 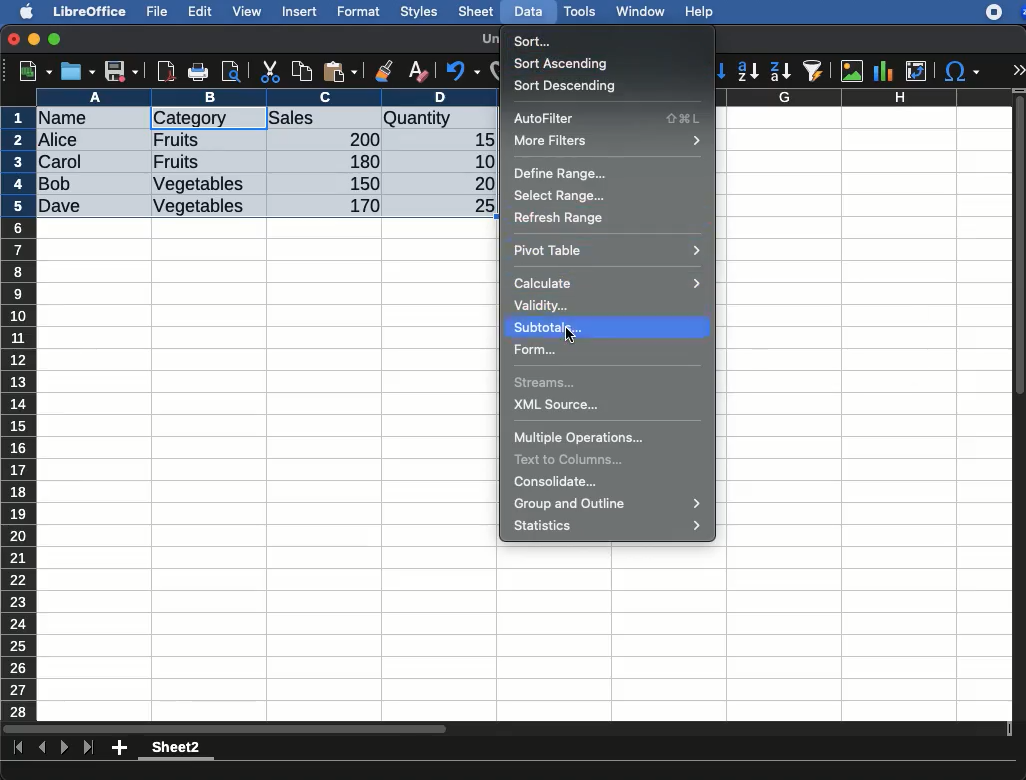 What do you see at coordinates (611, 505) in the screenshot?
I see `group and outline` at bounding box center [611, 505].